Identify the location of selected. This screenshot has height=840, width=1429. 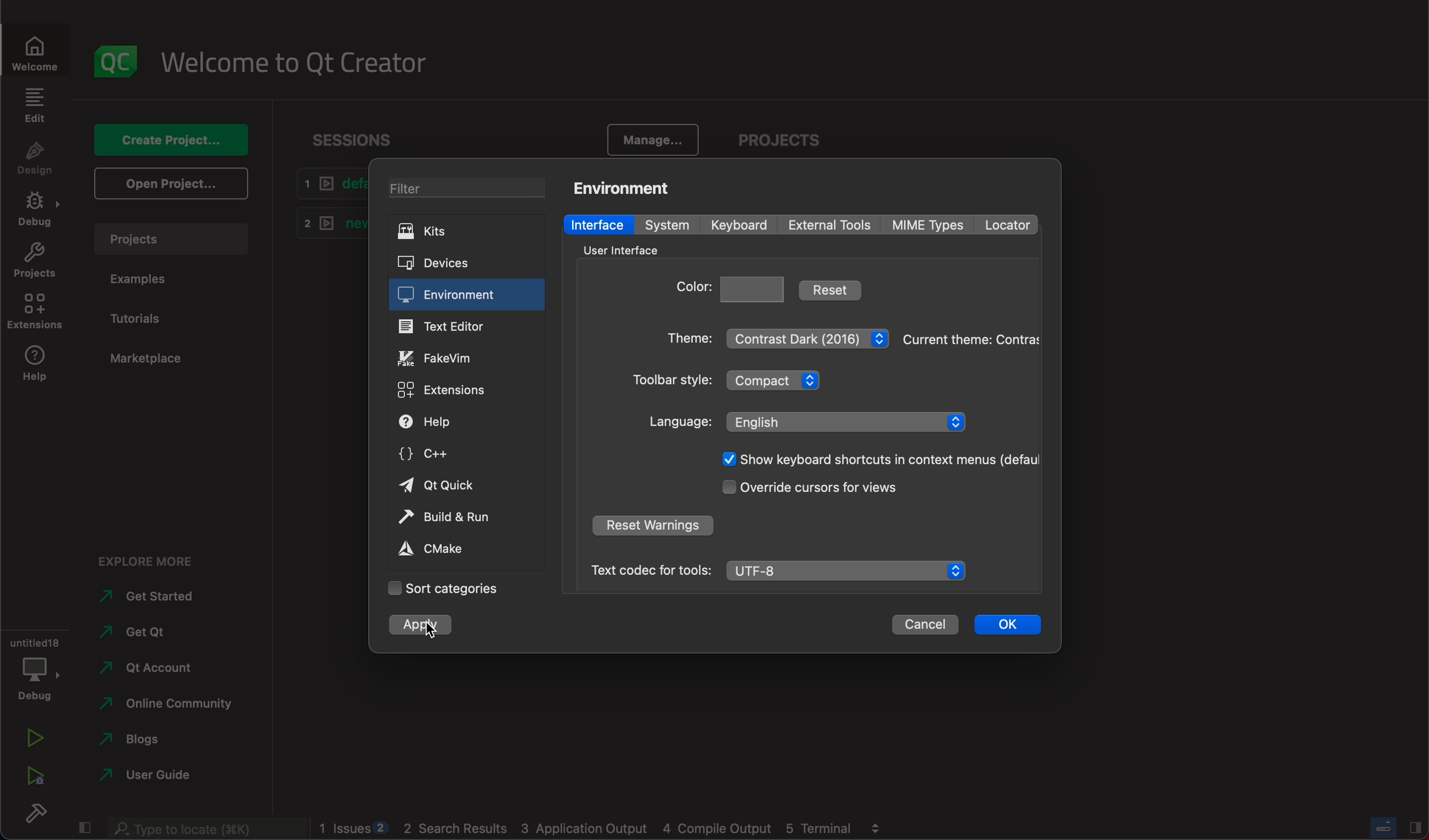
(414, 625).